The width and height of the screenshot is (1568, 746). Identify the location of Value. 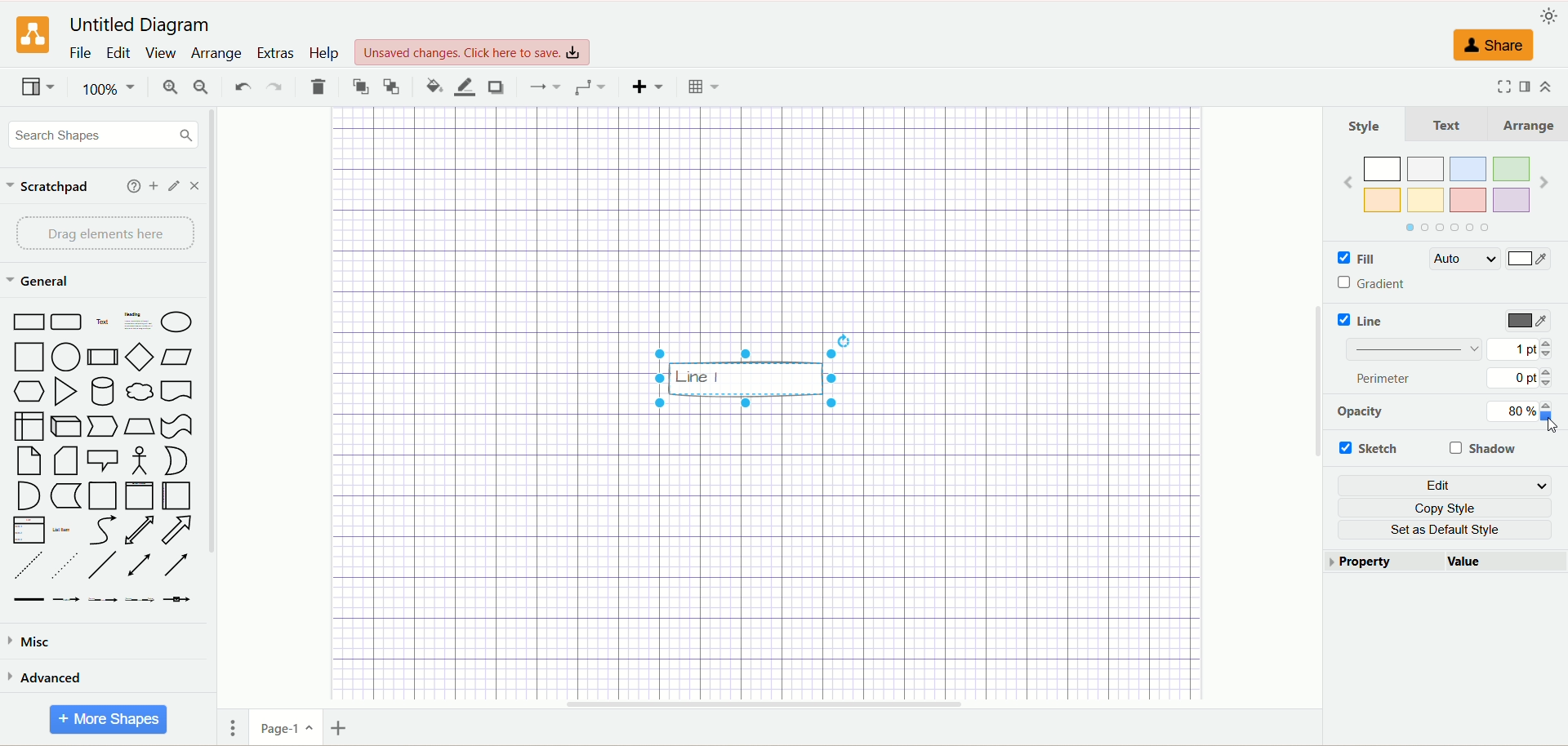
(1499, 561).